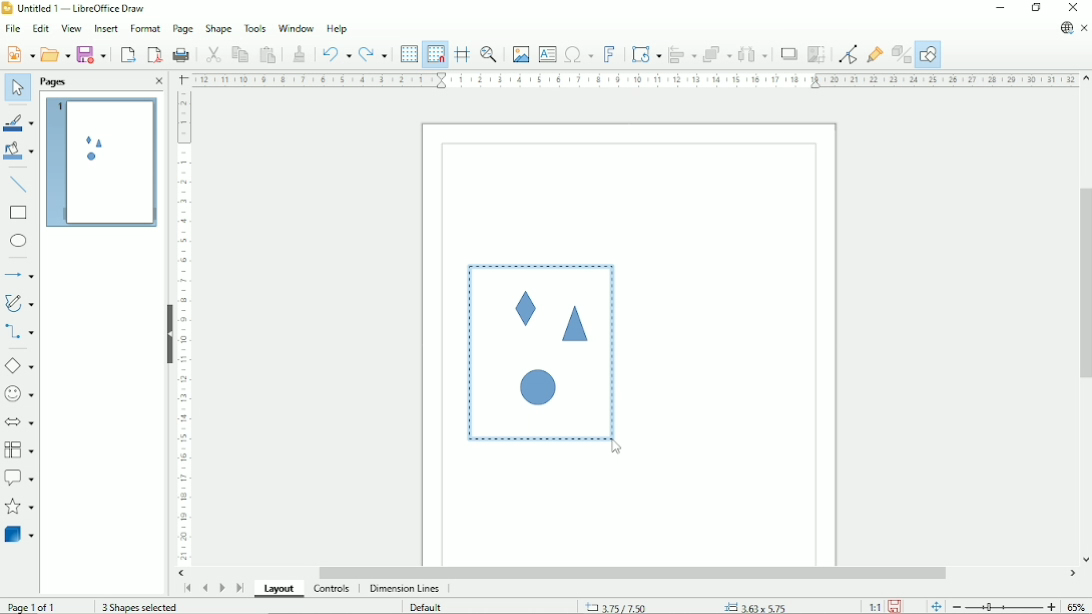  Describe the element at coordinates (1083, 282) in the screenshot. I see `Vertical scrollbar` at that location.